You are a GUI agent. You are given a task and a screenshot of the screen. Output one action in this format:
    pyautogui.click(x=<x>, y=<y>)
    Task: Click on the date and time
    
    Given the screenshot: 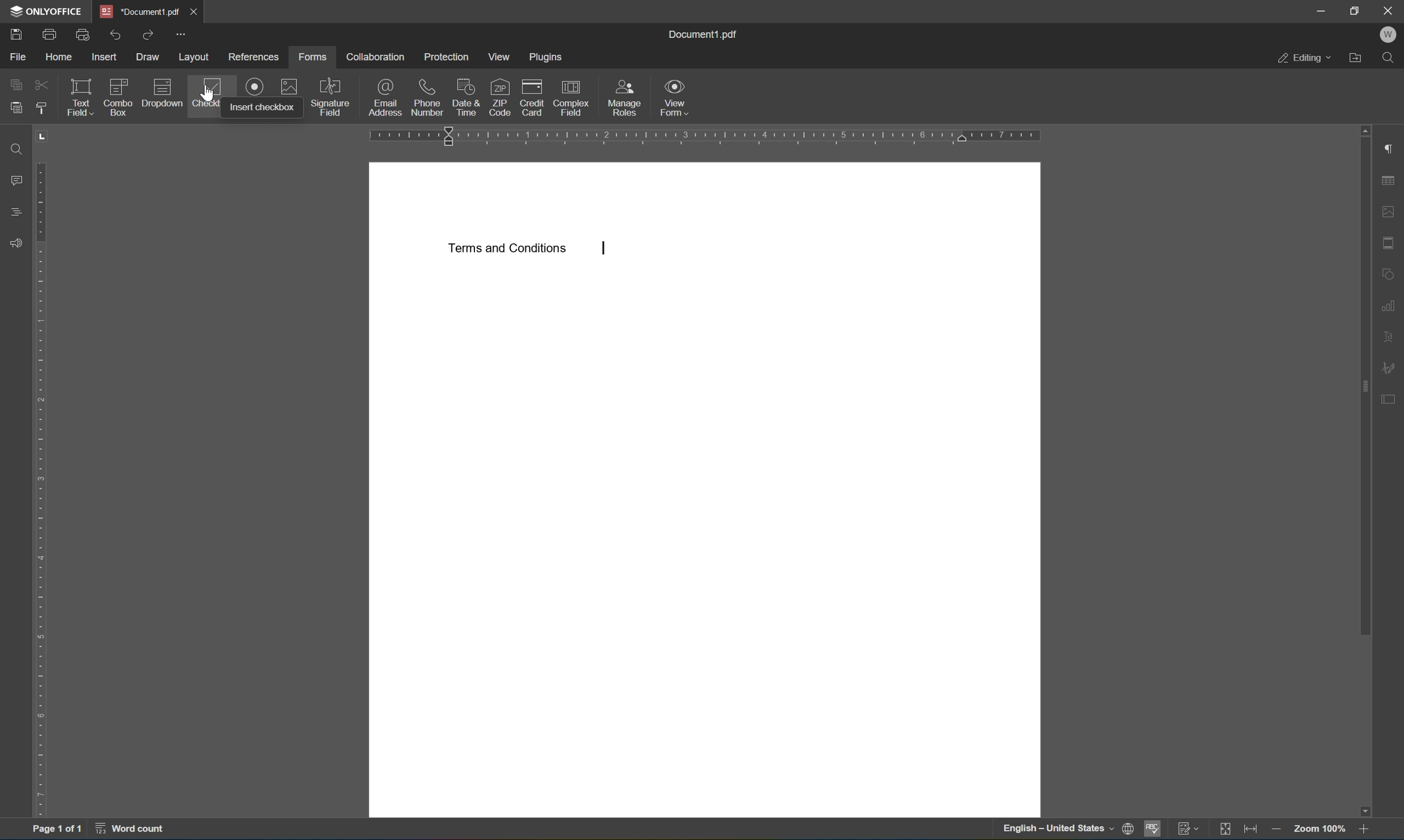 What is the action you would take?
    pyautogui.click(x=466, y=97)
    